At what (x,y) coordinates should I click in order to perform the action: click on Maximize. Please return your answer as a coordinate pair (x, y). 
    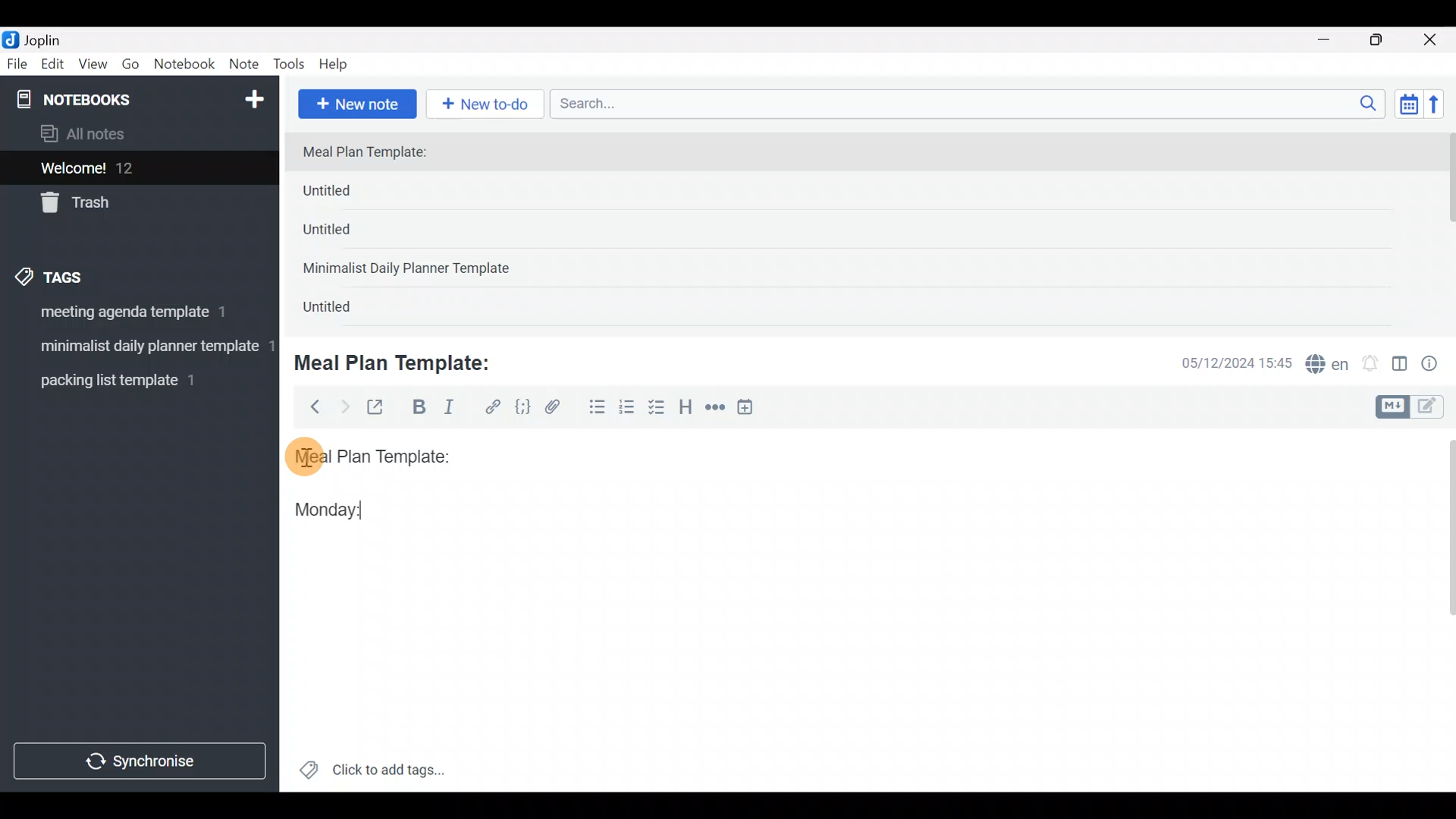
    Looking at the image, I should click on (1385, 40).